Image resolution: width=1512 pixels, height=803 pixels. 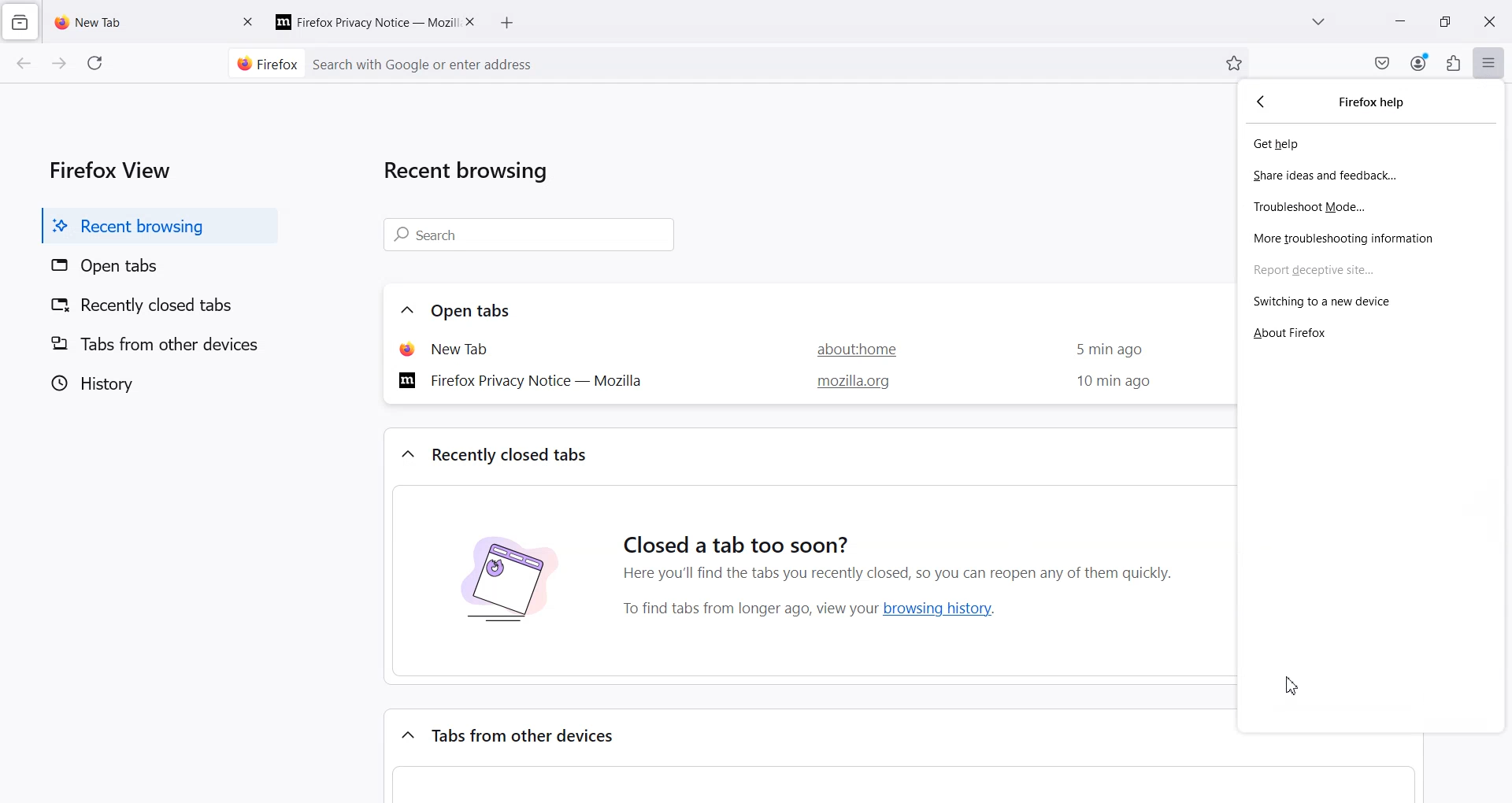 What do you see at coordinates (1370, 145) in the screenshot?
I see `Get help` at bounding box center [1370, 145].